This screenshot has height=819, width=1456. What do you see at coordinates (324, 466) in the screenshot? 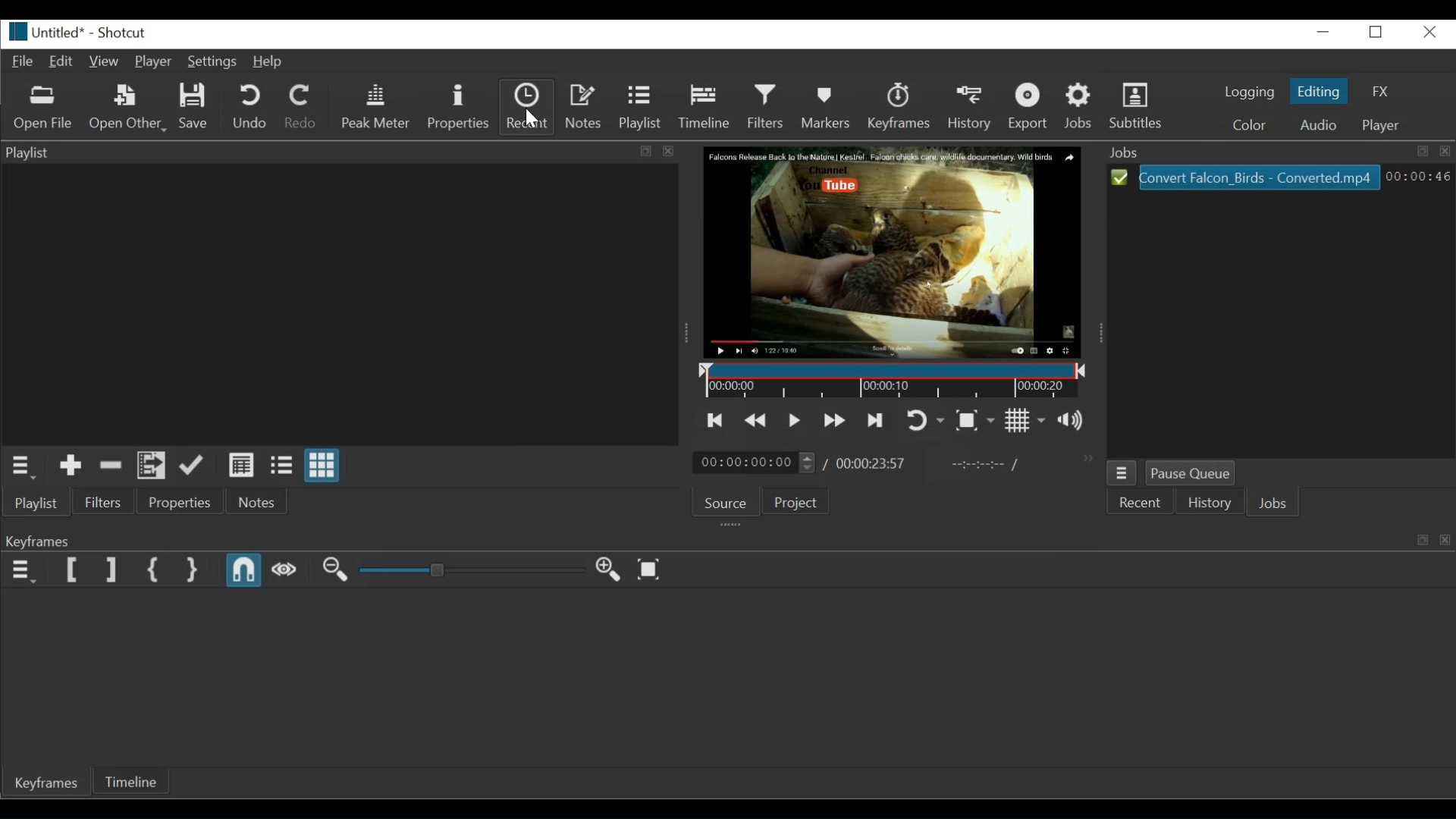
I see `View as icons` at bounding box center [324, 466].